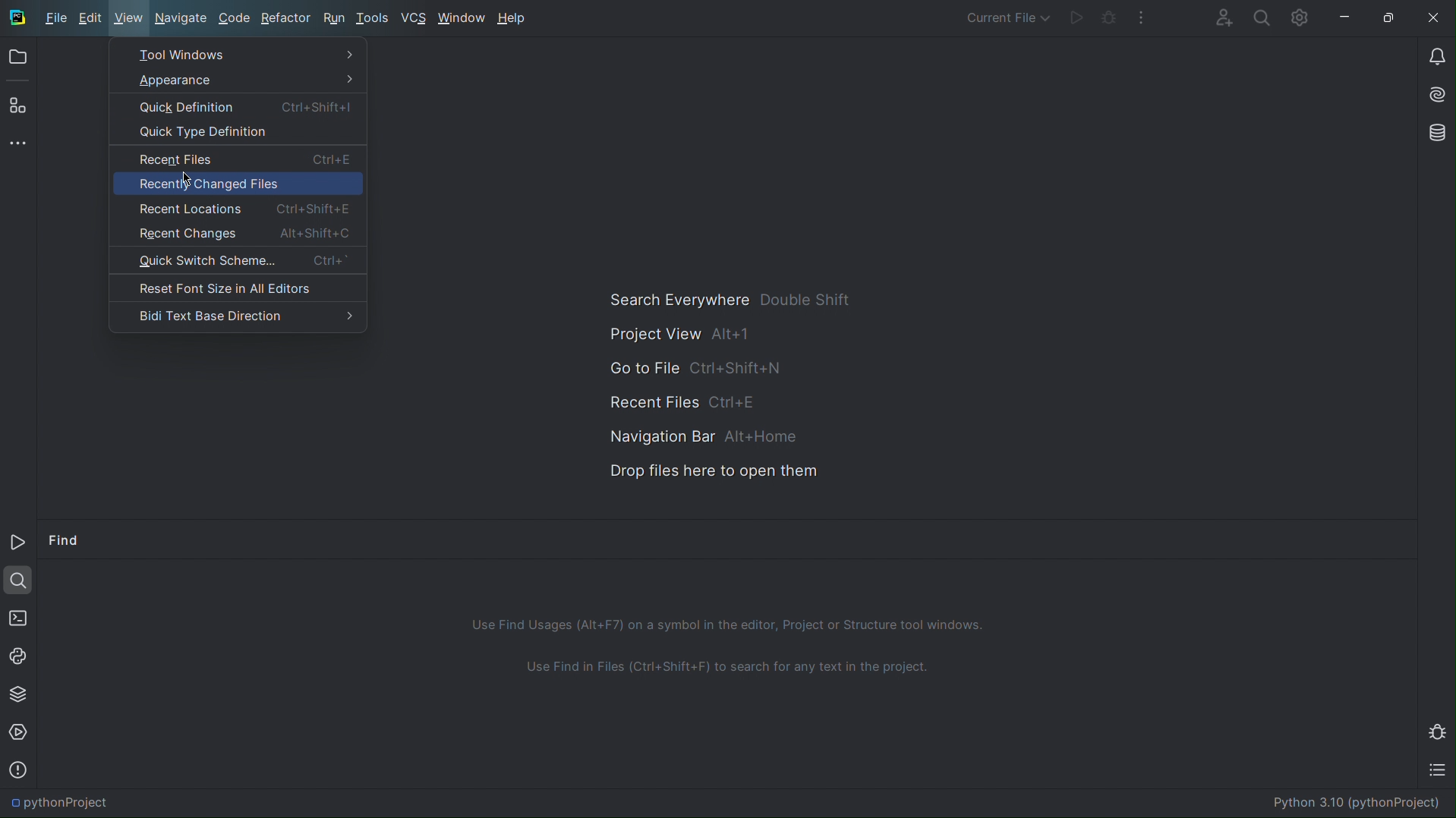 The height and width of the screenshot is (818, 1456). Describe the element at coordinates (515, 17) in the screenshot. I see `Help` at that location.